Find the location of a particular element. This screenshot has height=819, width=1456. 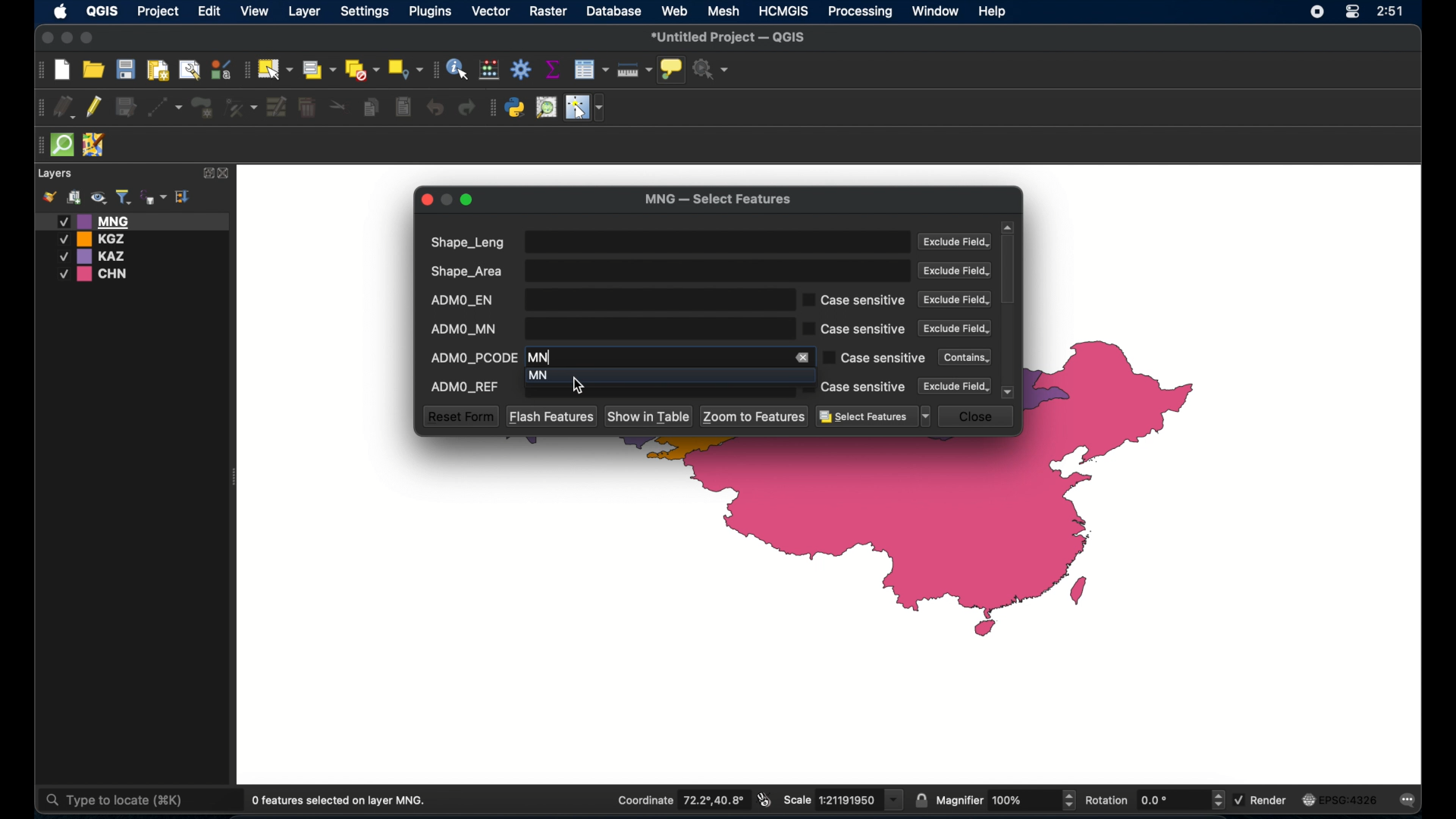

open field calculator is located at coordinates (491, 69).